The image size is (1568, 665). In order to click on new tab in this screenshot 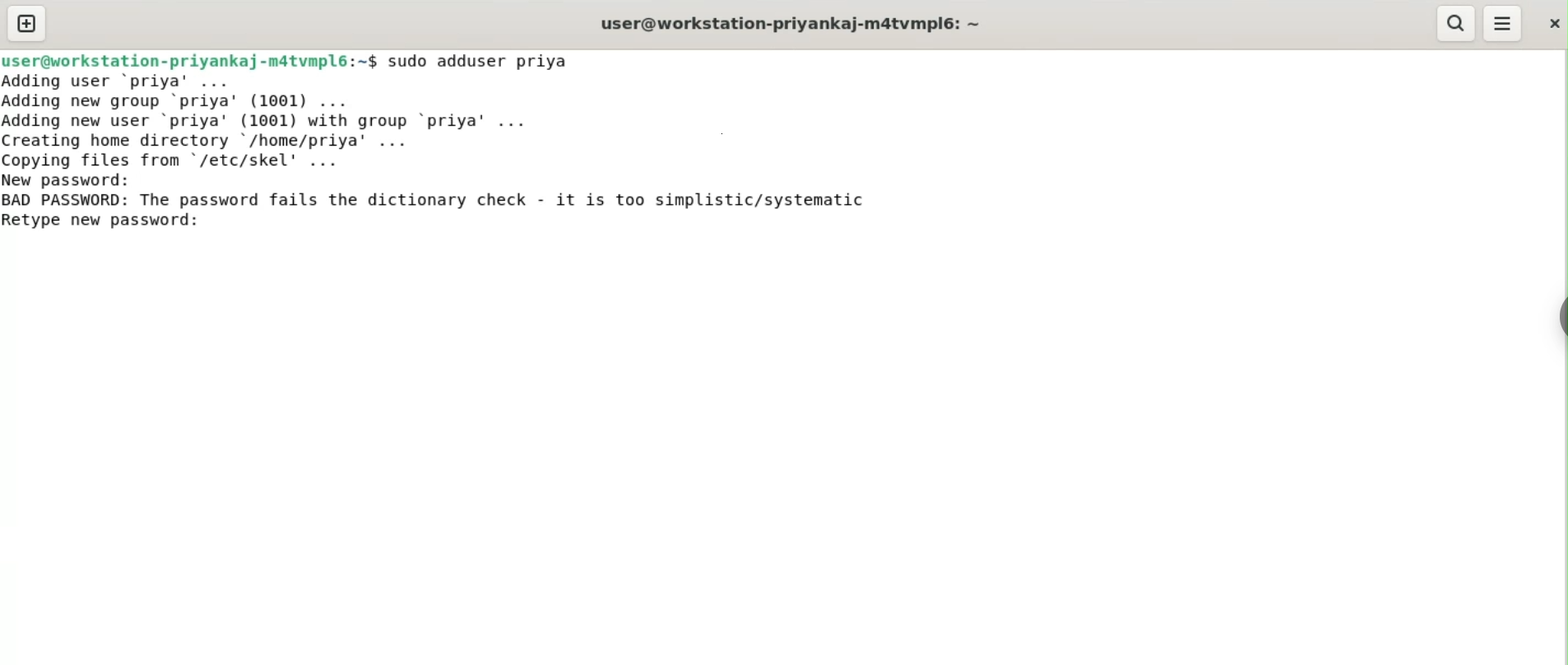, I will do `click(27, 23)`.